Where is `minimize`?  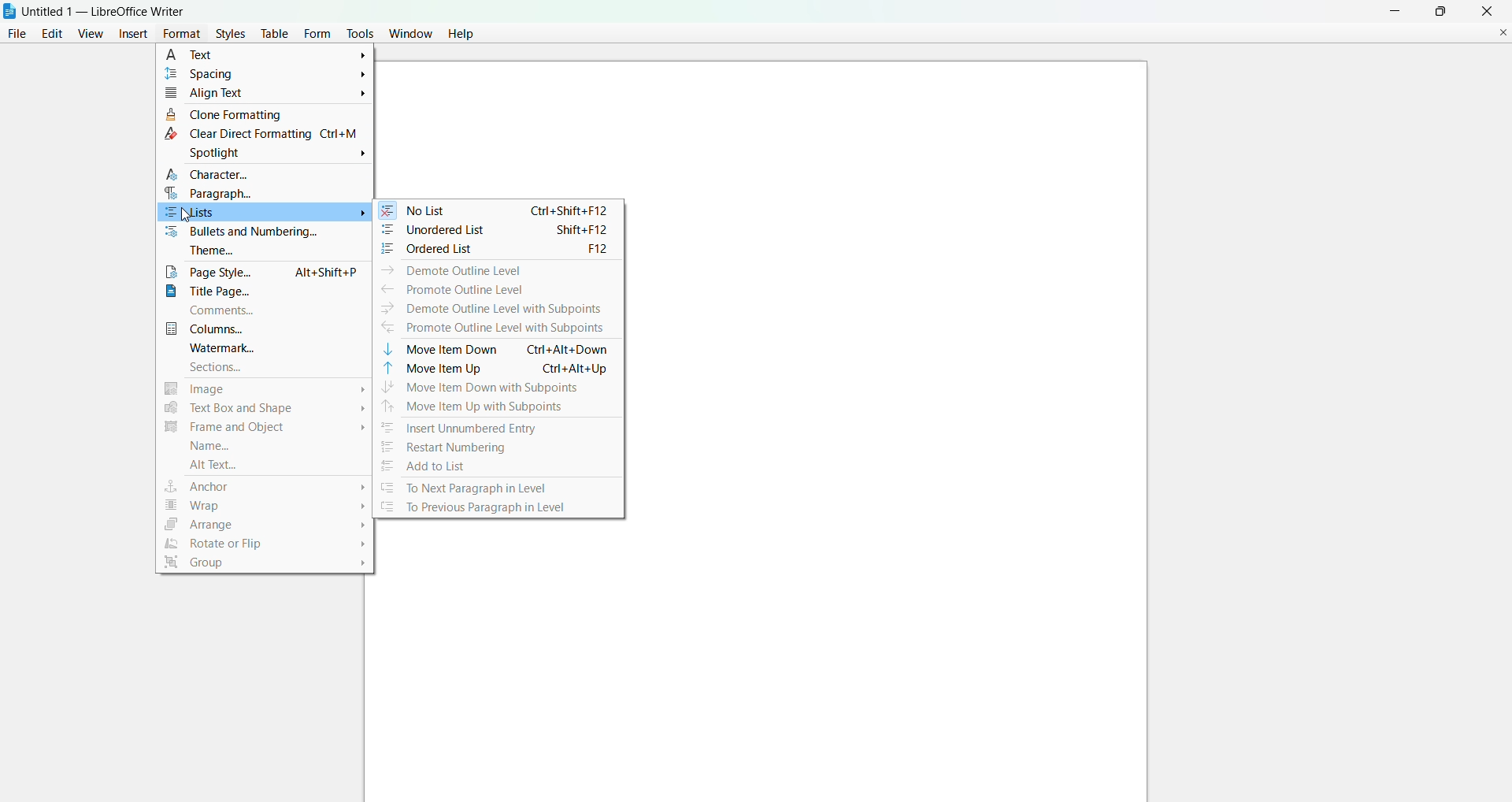
minimize is located at coordinates (1391, 10).